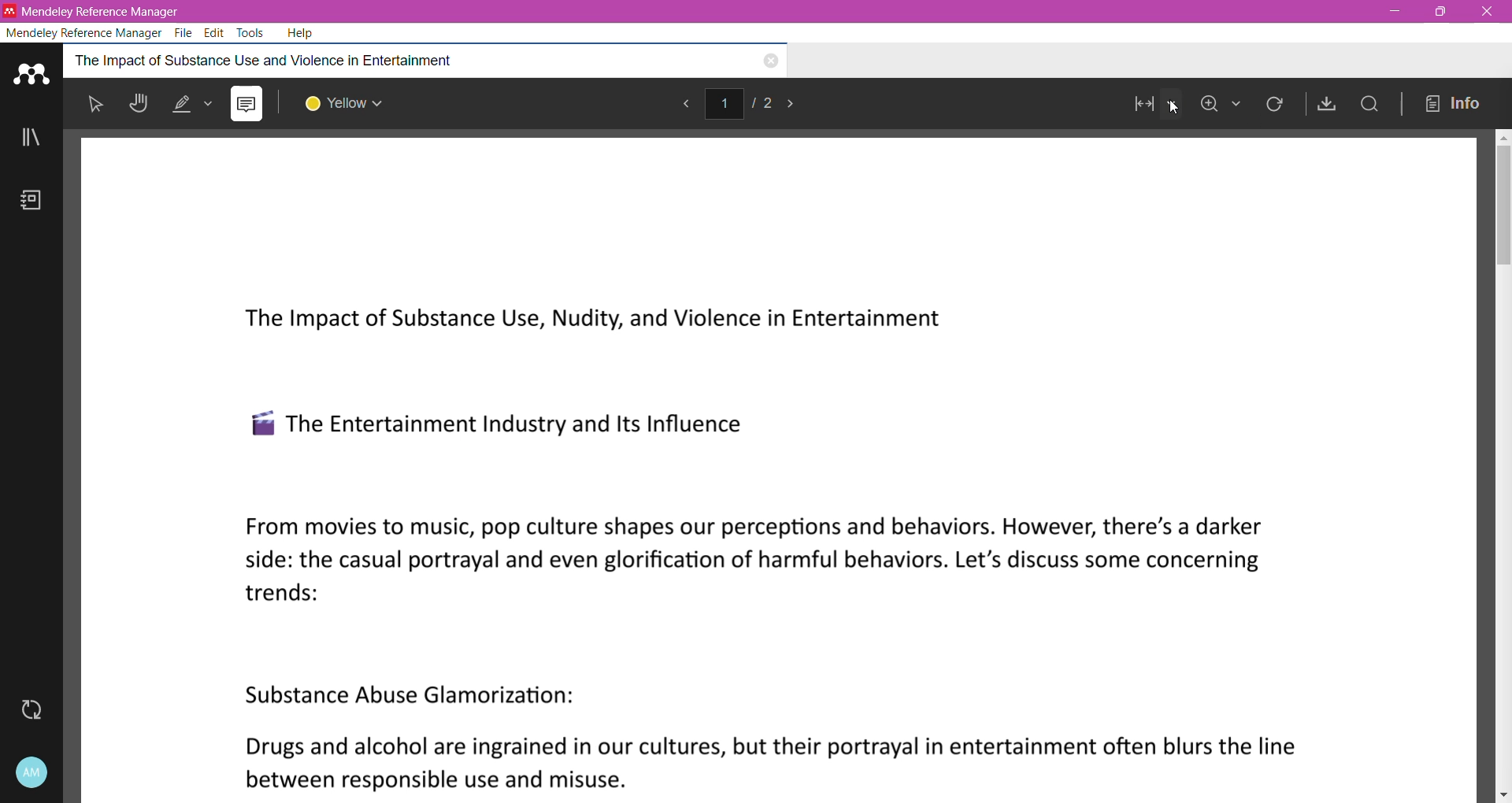 The height and width of the screenshot is (803, 1512). I want to click on Reference Item Title, so click(373, 60).